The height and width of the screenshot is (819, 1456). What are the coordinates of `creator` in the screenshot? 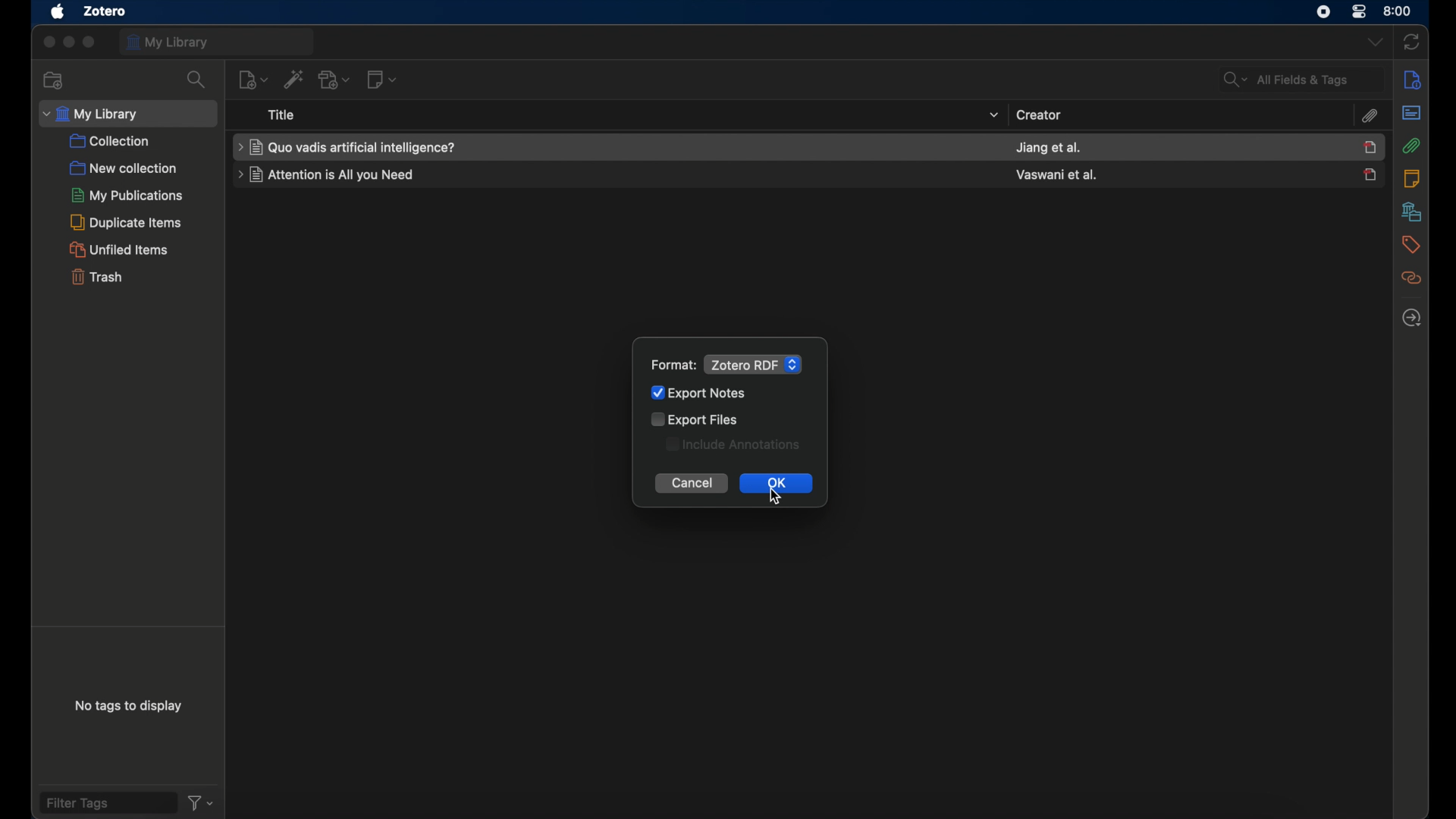 It's located at (1039, 114).